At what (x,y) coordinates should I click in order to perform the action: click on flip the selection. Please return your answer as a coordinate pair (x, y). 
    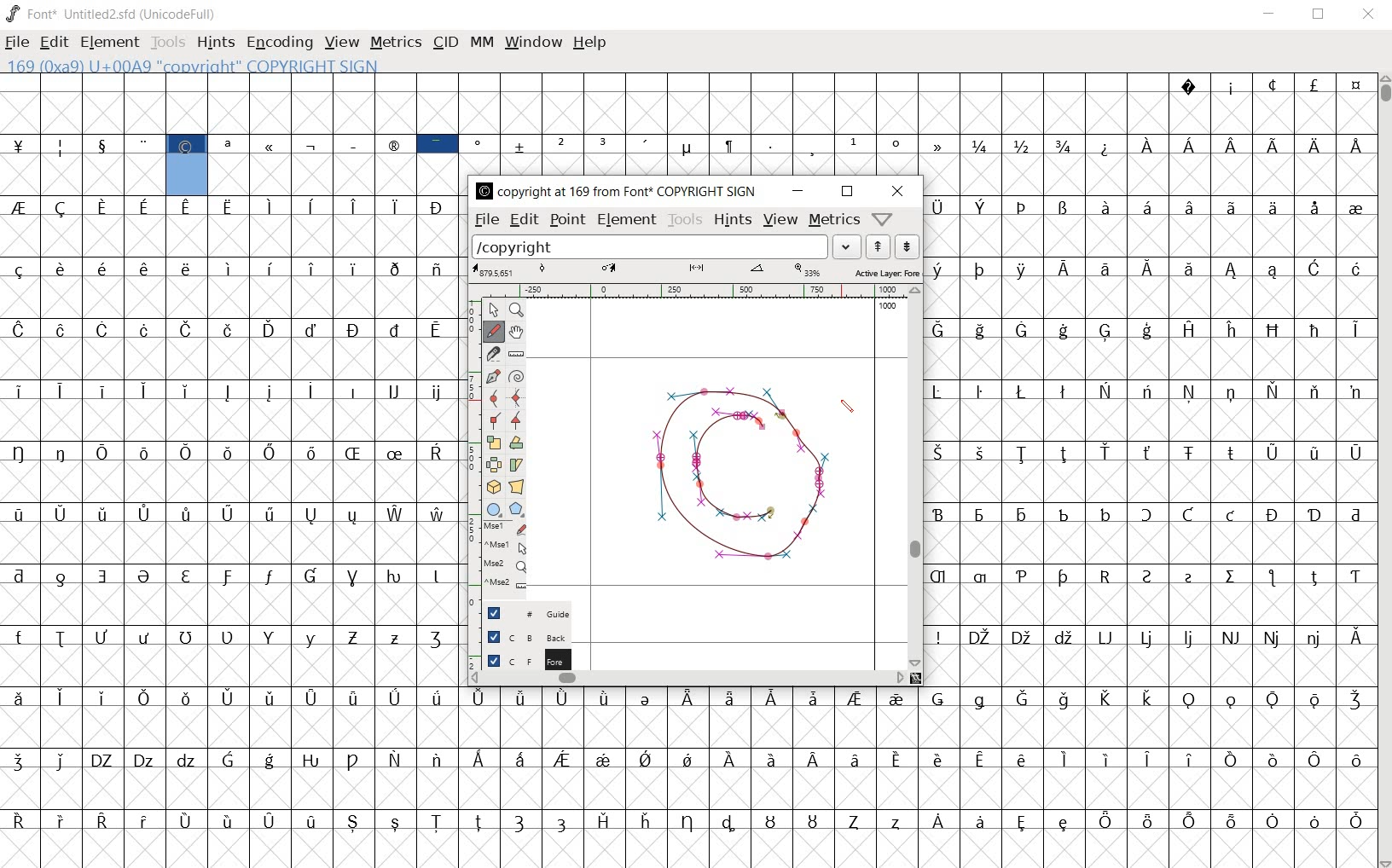
    Looking at the image, I should click on (495, 465).